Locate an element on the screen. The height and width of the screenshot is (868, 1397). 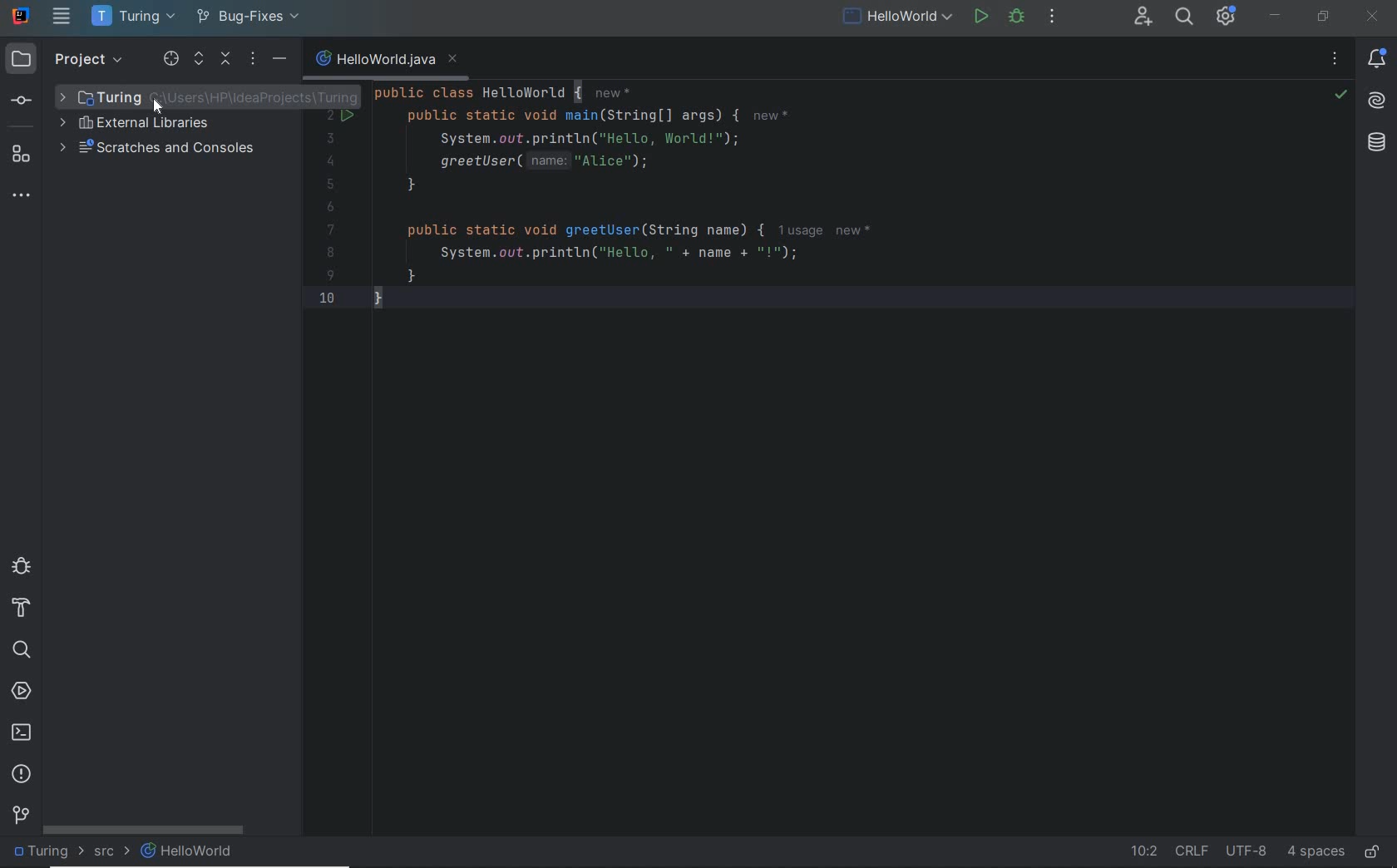
collapse is located at coordinates (227, 61).